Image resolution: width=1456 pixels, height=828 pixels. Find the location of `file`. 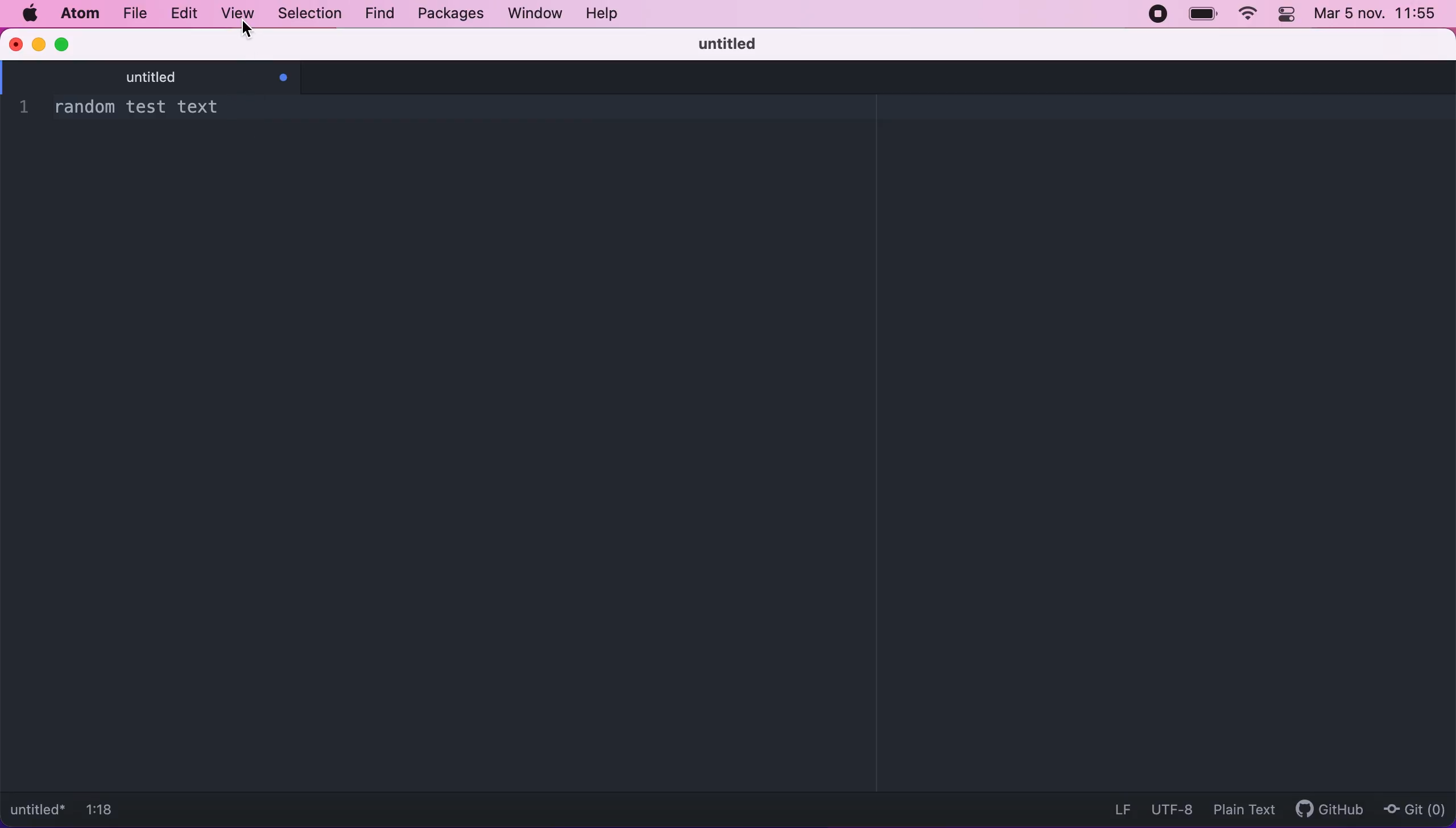

file is located at coordinates (135, 14).